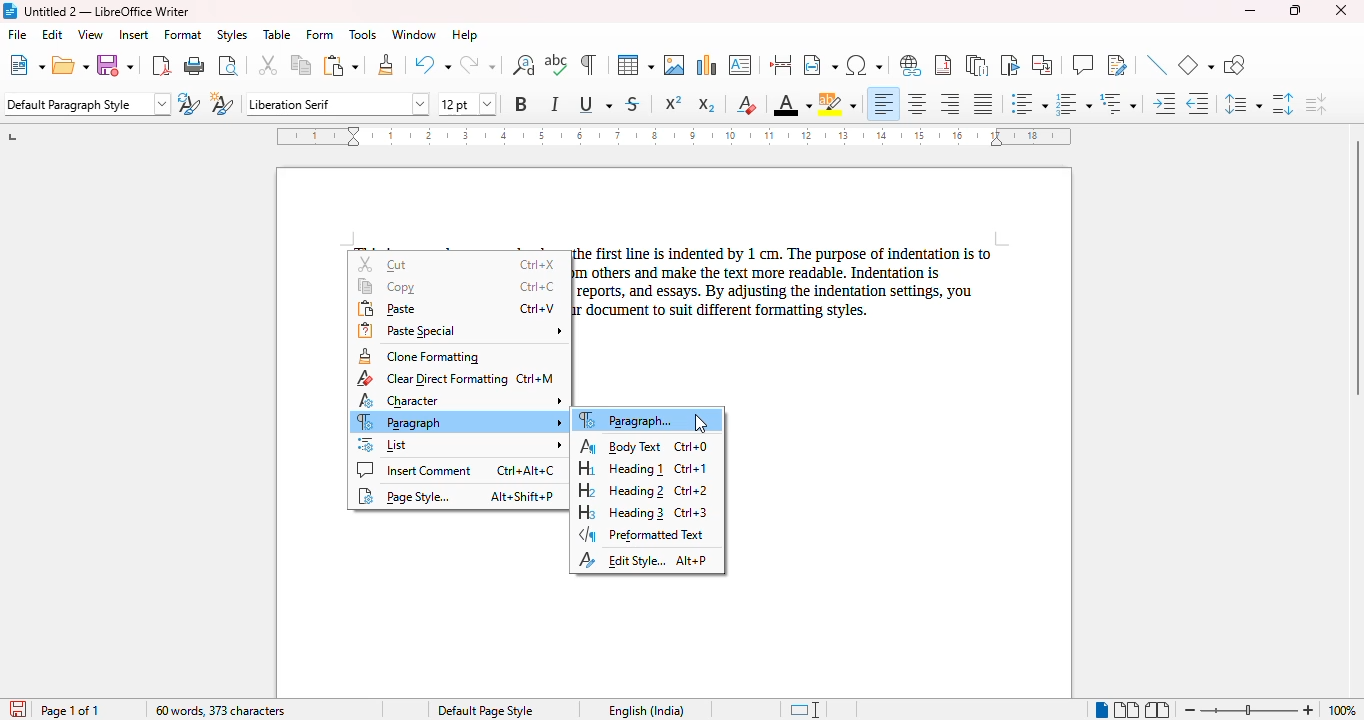 The width and height of the screenshot is (1364, 720). I want to click on show draw functions, so click(1234, 65).